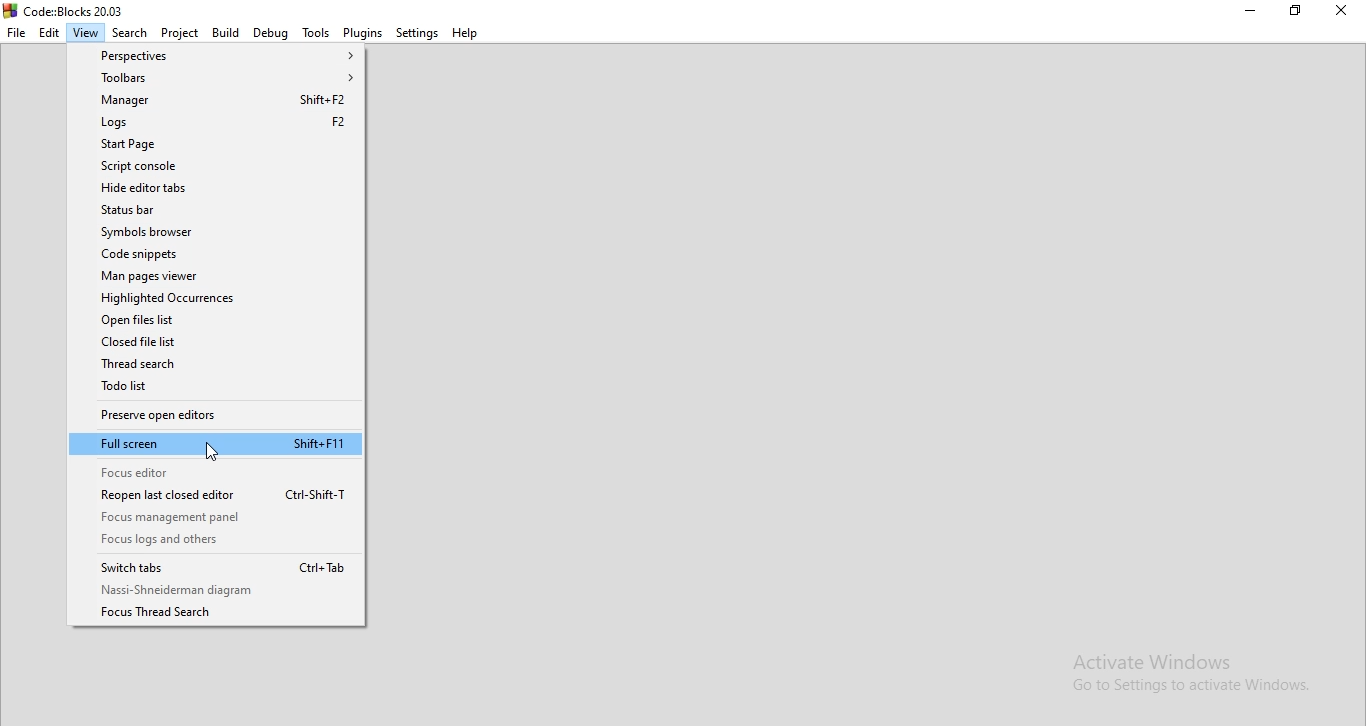  What do you see at coordinates (271, 32) in the screenshot?
I see `Debug ` at bounding box center [271, 32].